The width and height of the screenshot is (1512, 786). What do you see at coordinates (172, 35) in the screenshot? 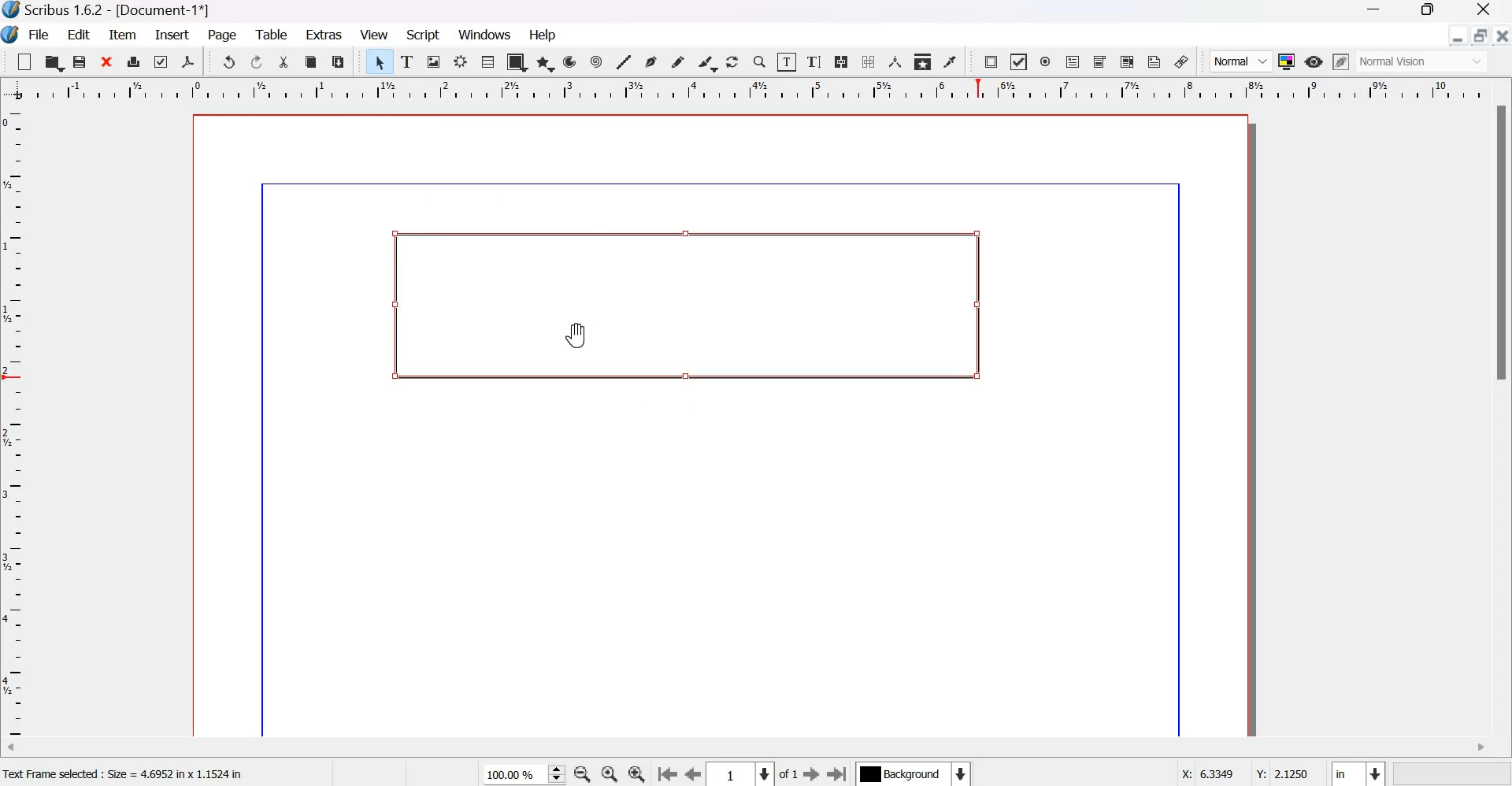
I see `Insert` at bounding box center [172, 35].